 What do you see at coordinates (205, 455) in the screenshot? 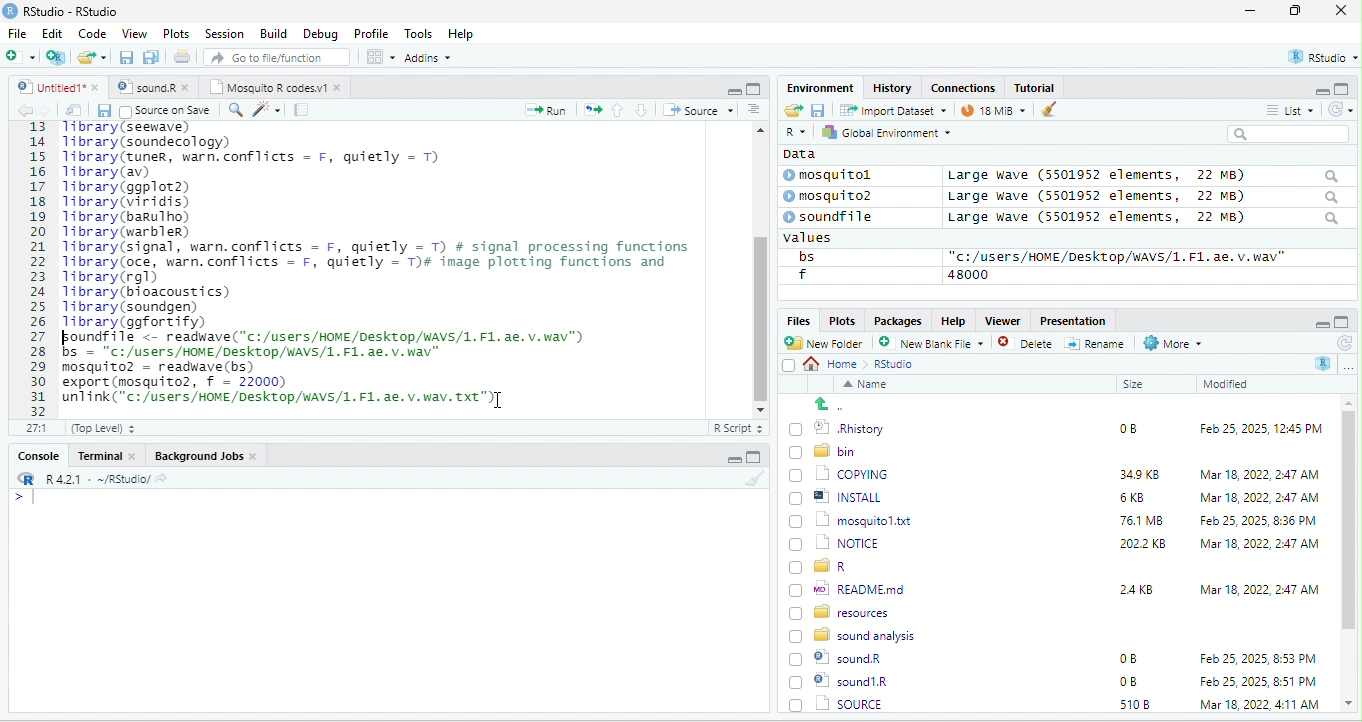
I see `Background Jobs` at bounding box center [205, 455].